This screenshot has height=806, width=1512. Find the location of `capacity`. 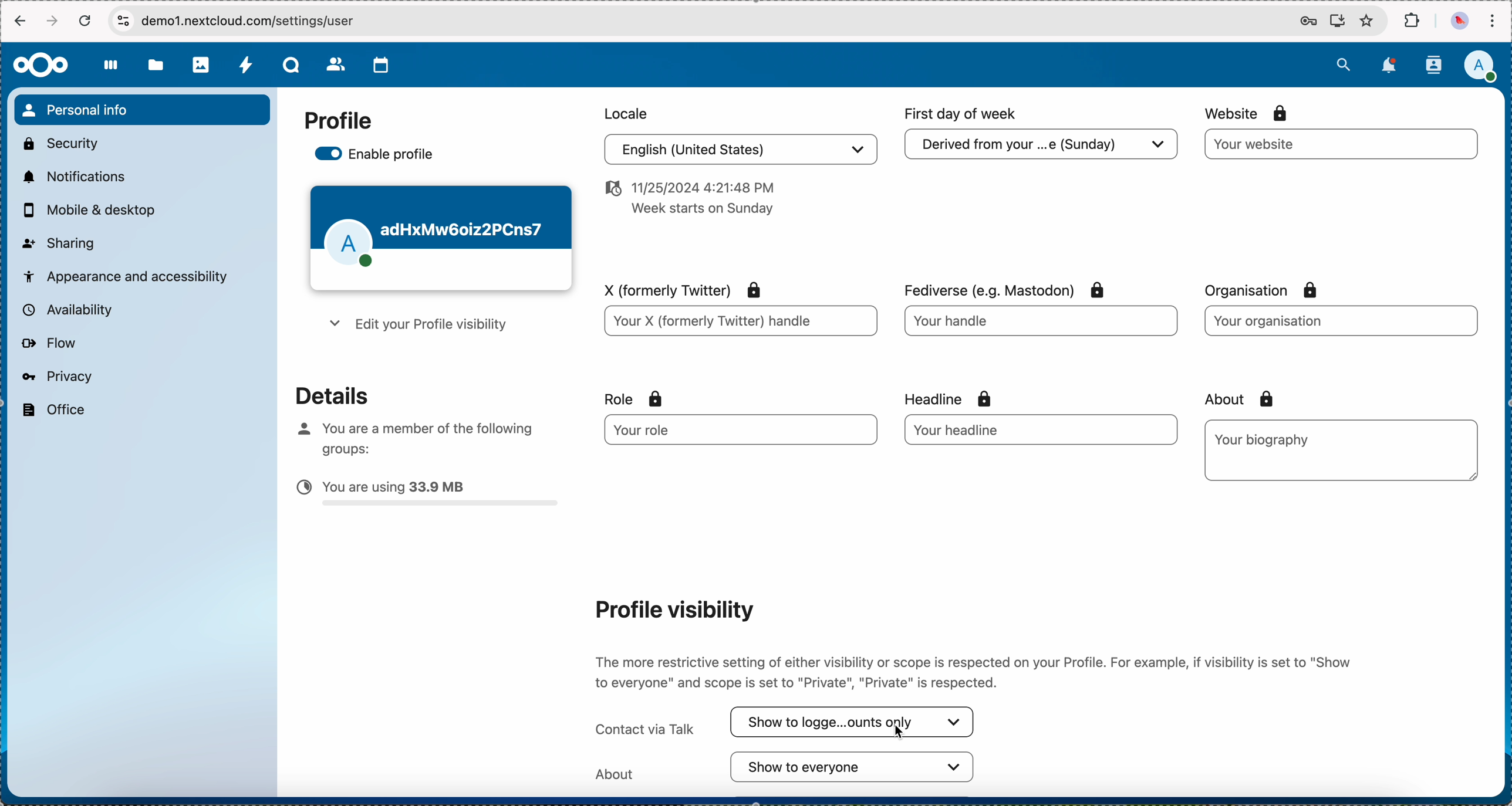

capacity is located at coordinates (428, 496).